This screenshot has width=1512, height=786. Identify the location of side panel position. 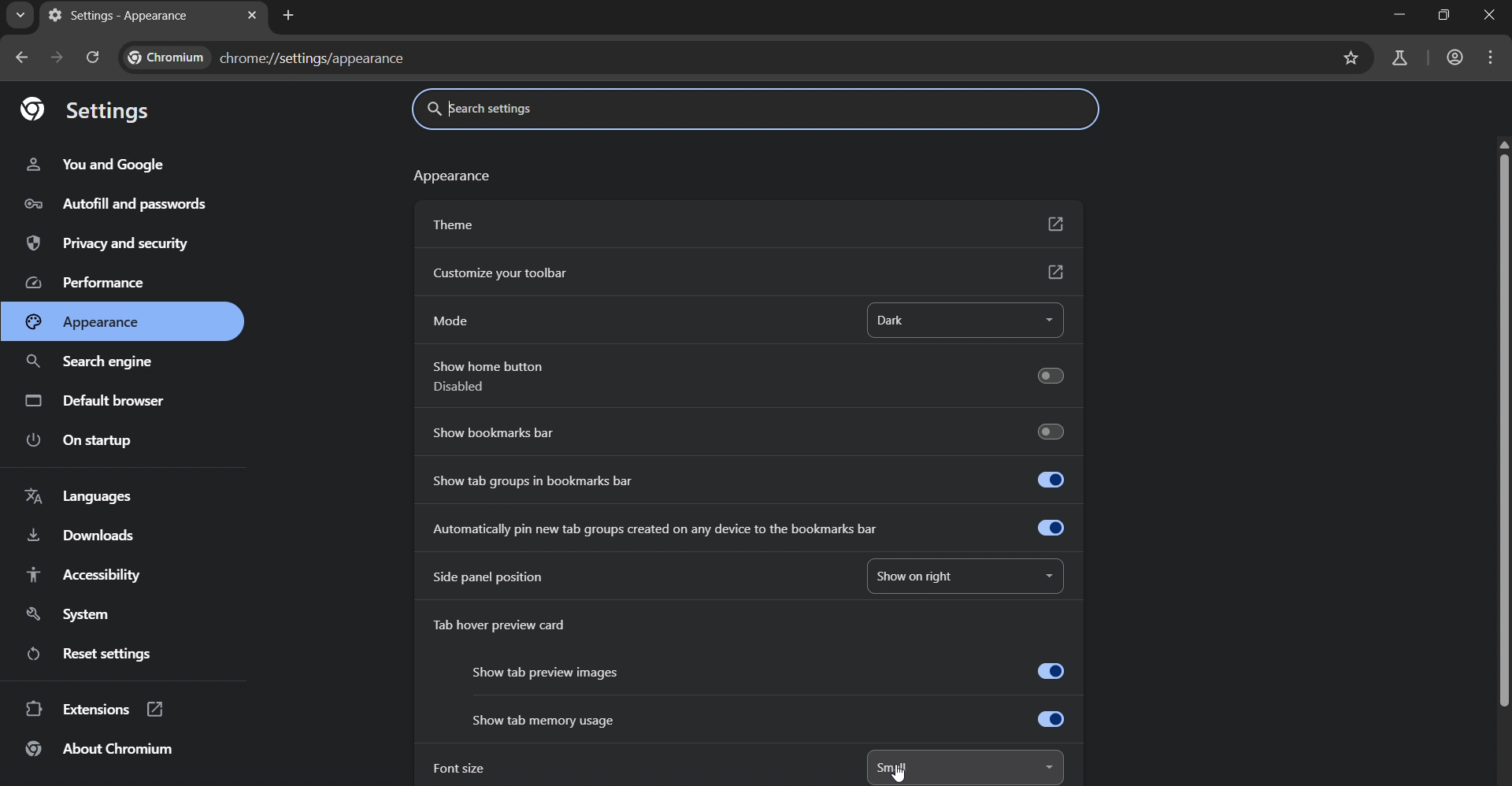
(488, 577).